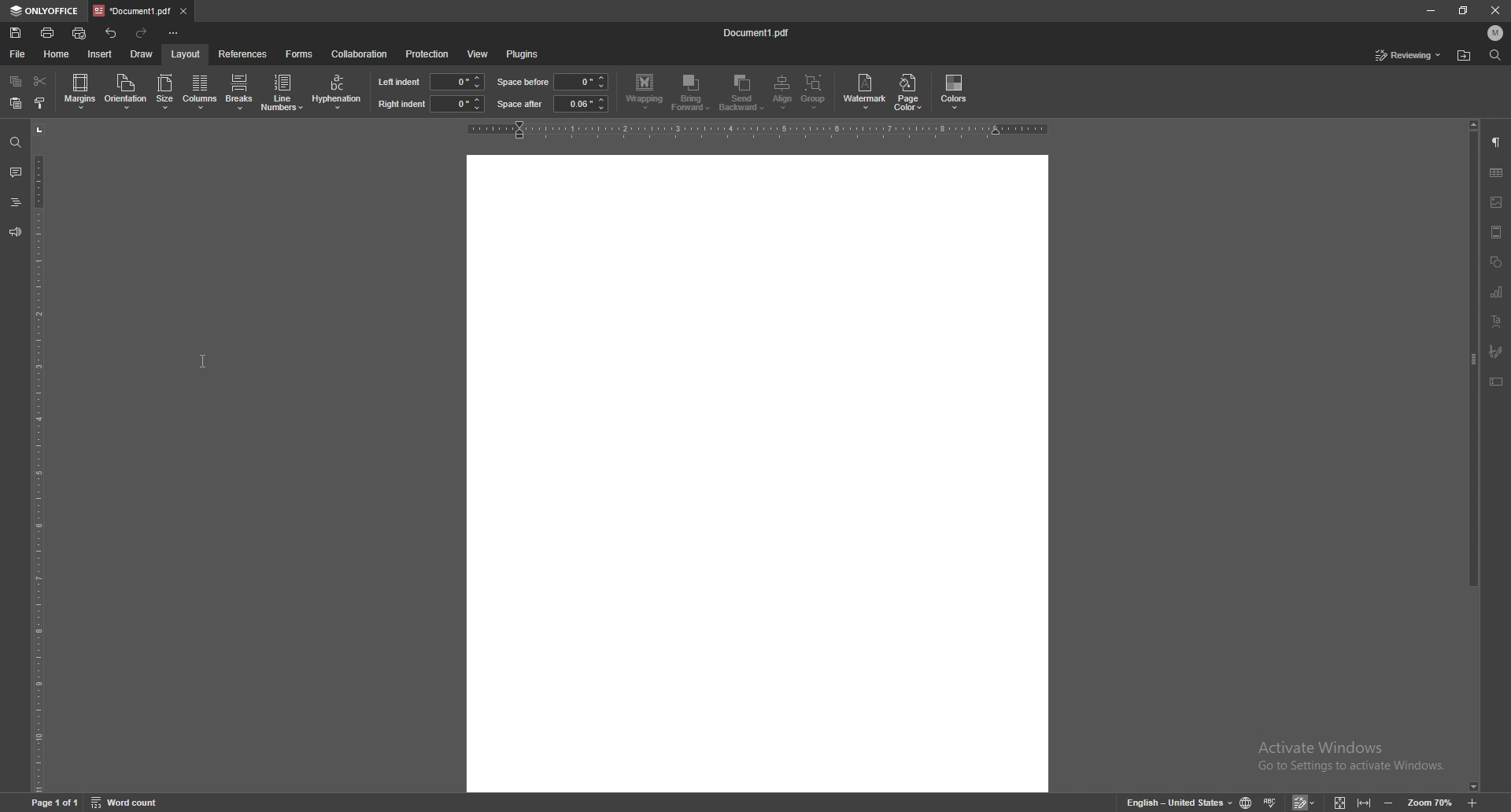 This screenshot has width=1511, height=812. I want to click on spell change, so click(1272, 802).